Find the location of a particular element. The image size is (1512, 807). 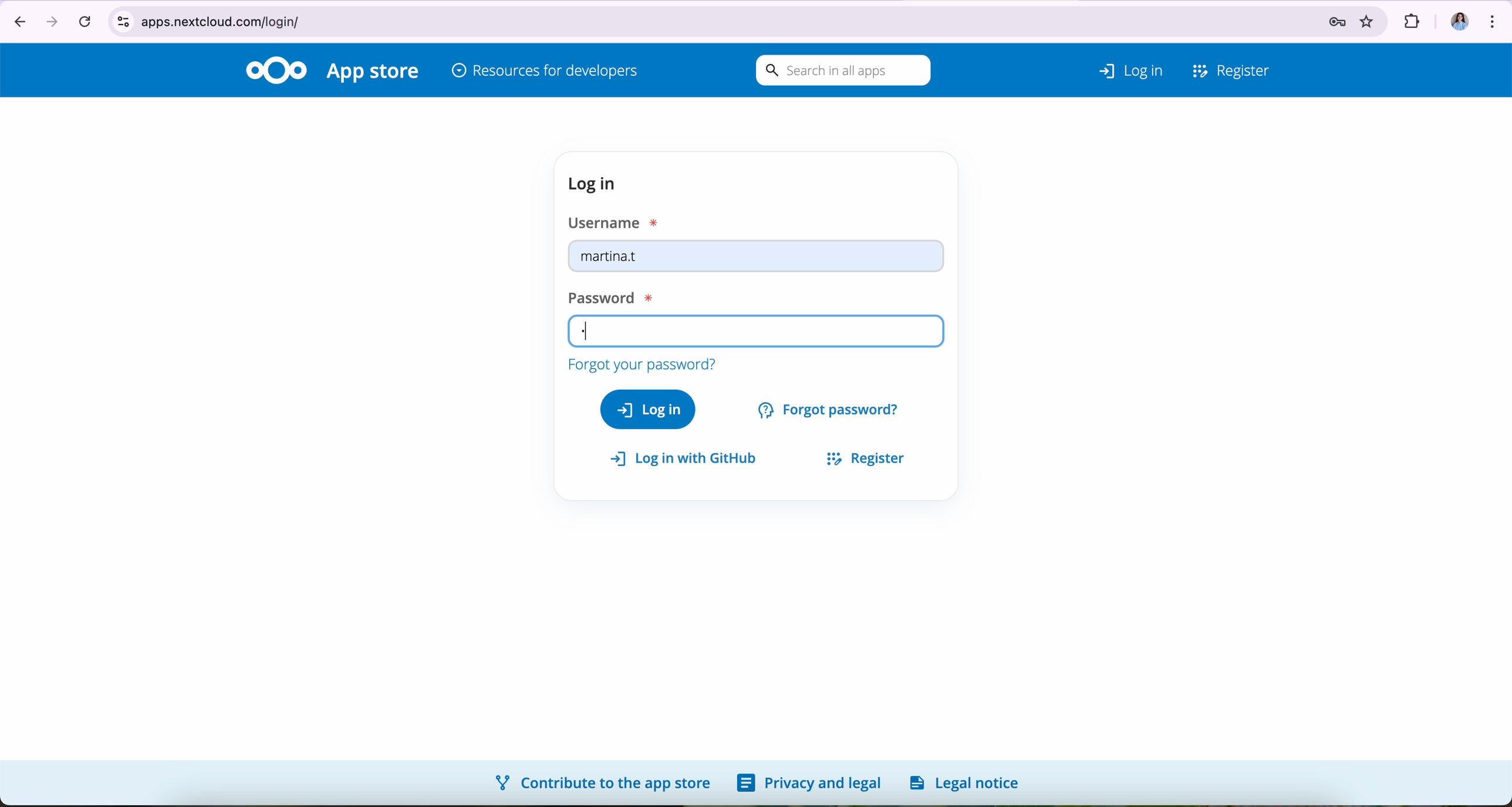

contribute to the app store is located at coordinates (601, 782).